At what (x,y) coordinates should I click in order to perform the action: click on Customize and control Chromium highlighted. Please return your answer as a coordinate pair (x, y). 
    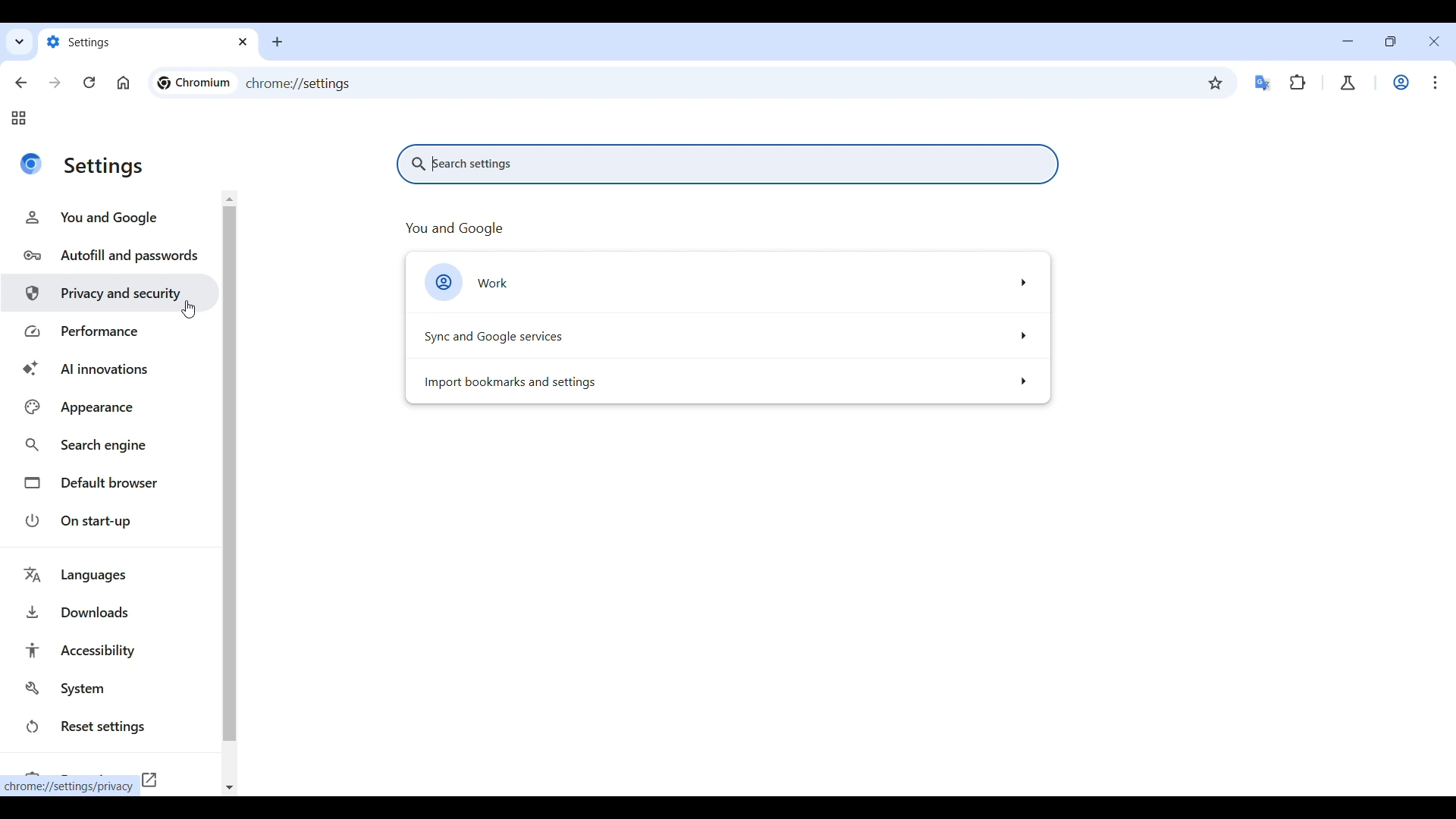
    Looking at the image, I should click on (1436, 83).